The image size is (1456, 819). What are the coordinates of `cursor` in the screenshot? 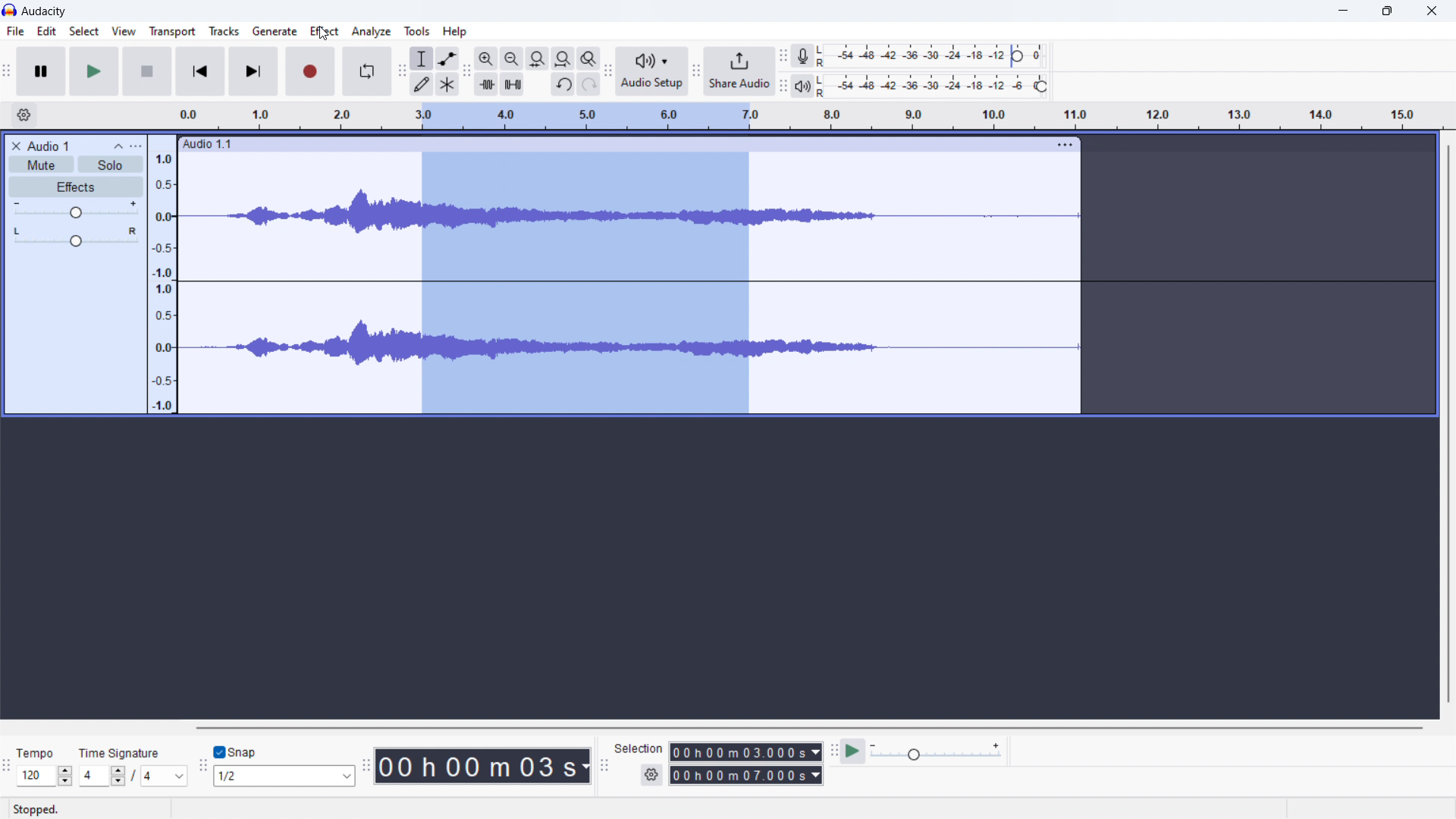 It's located at (323, 33).